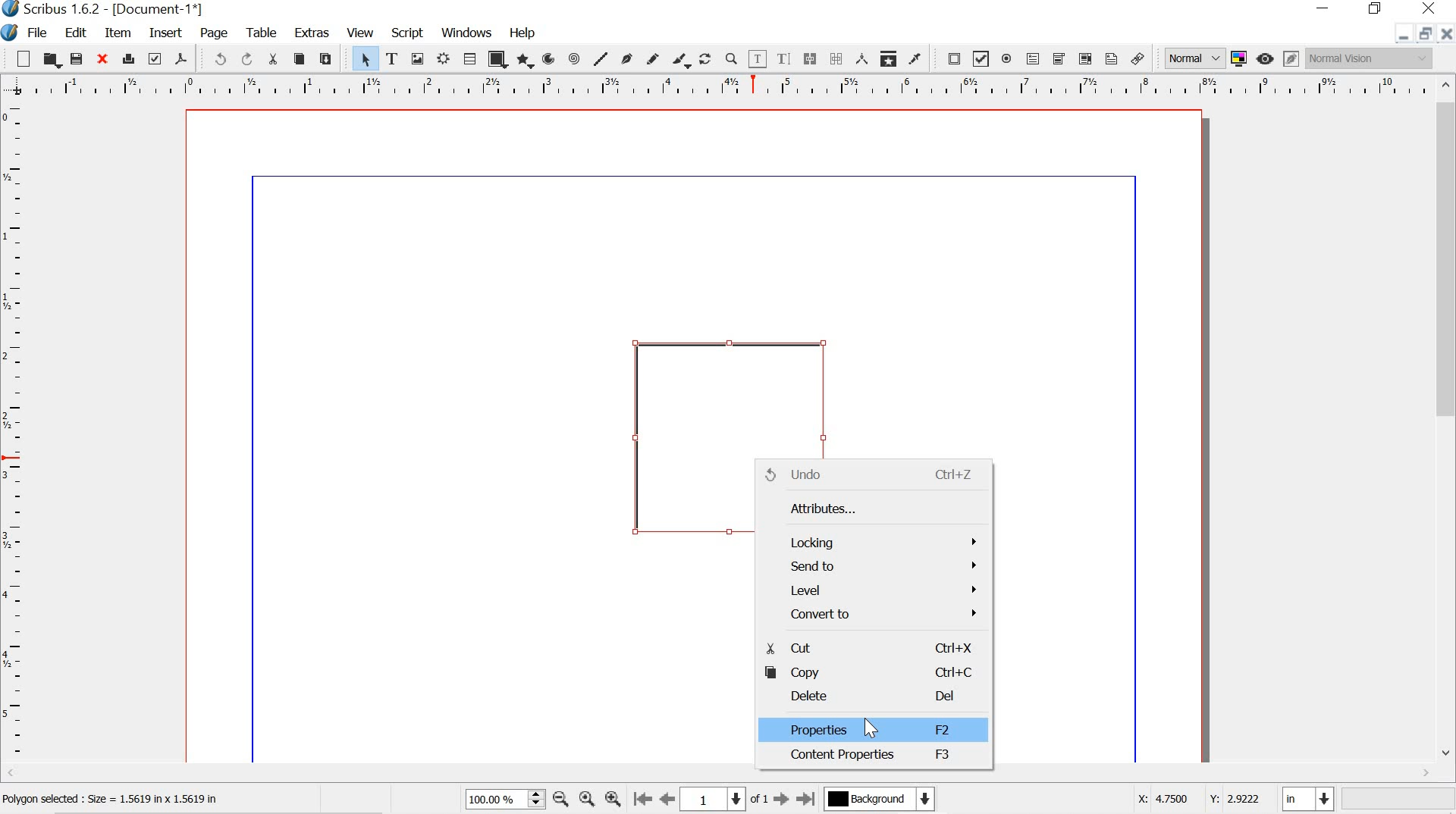 The image size is (1456, 814). I want to click on redo, so click(249, 59).